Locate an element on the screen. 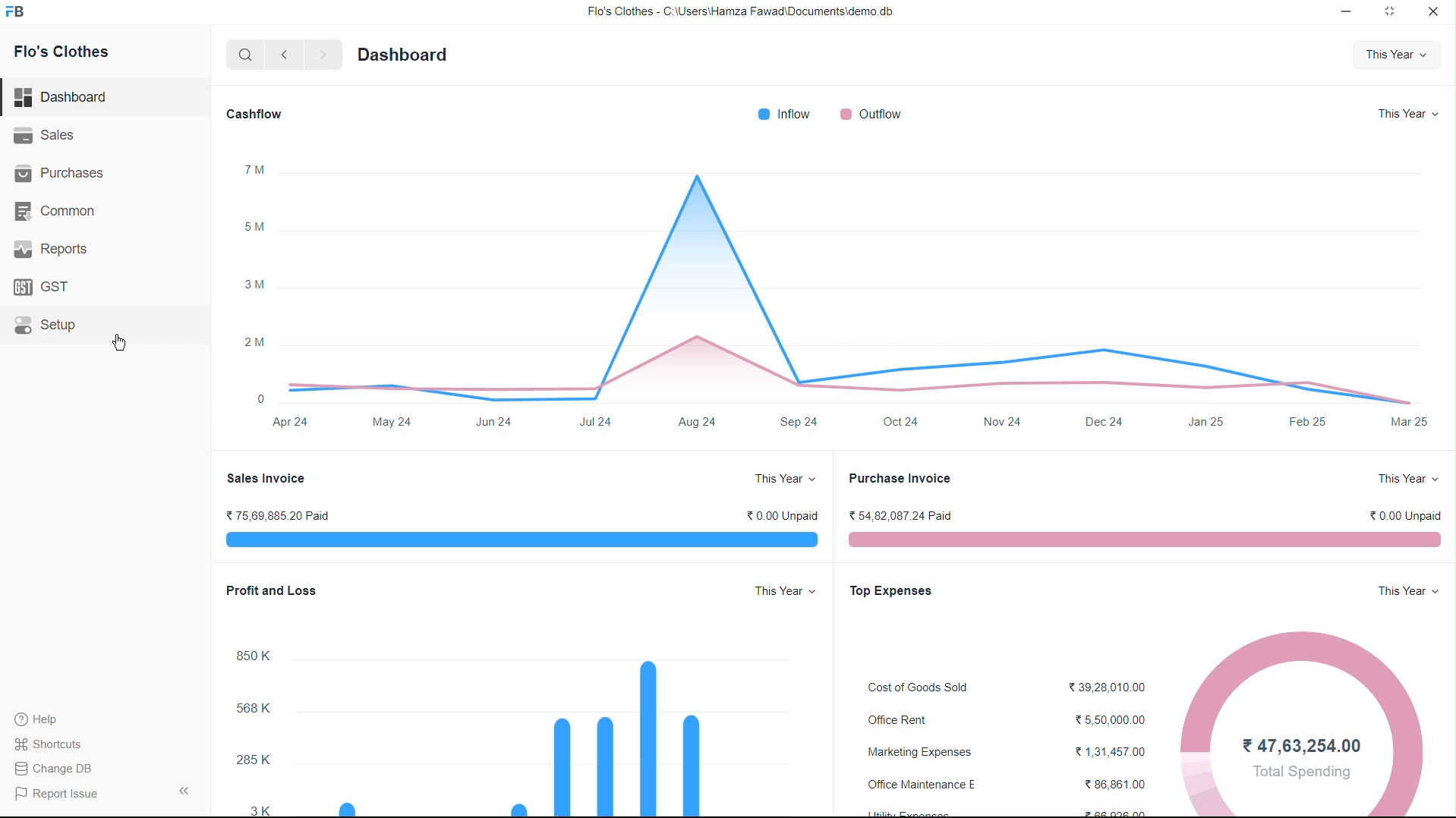 This screenshot has width=1456, height=818. y axis is located at coordinates (856, 424).